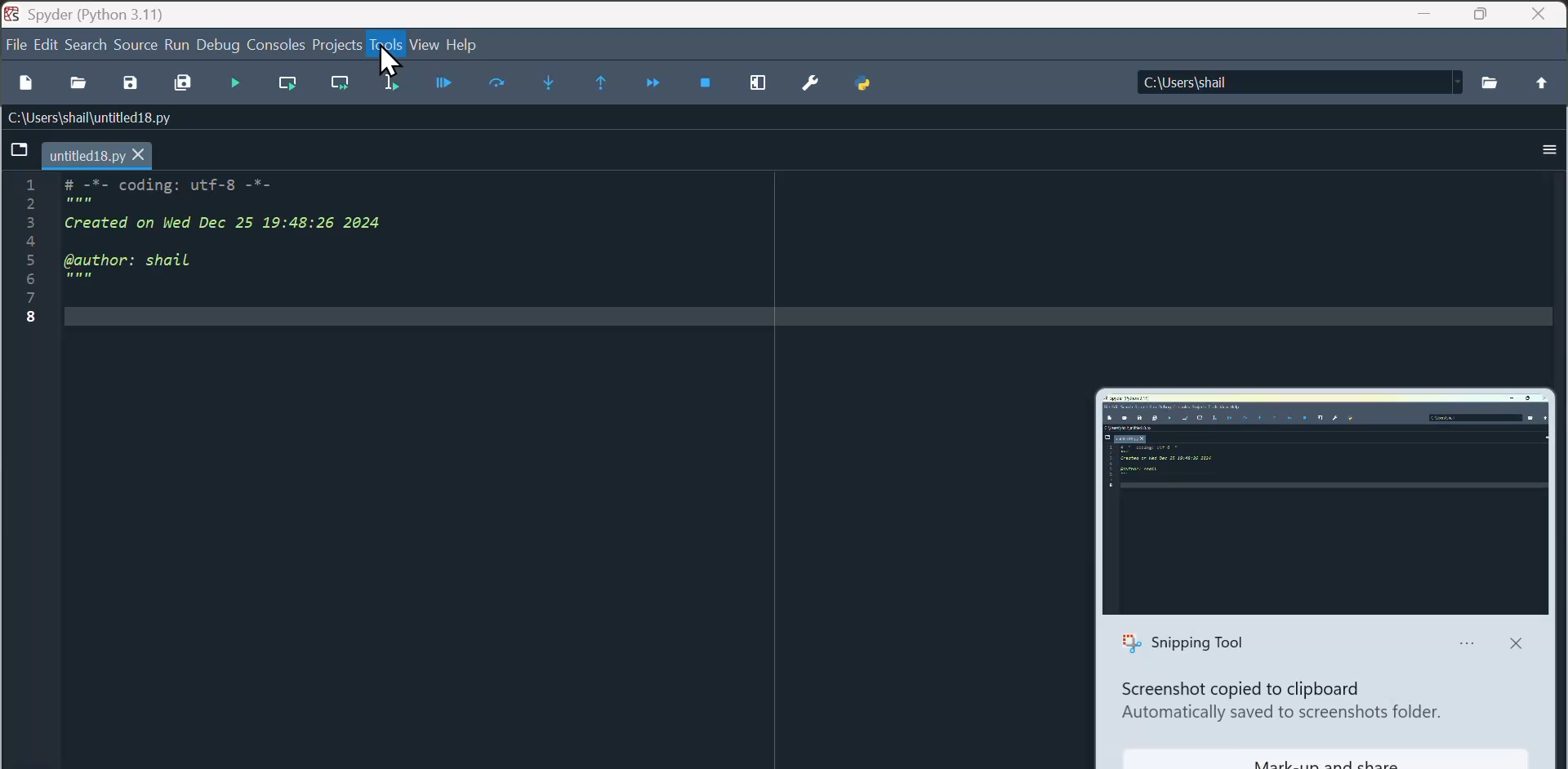 The width and height of the screenshot is (1568, 769). What do you see at coordinates (444, 88) in the screenshot?
I see `Debug` at bounding box center [444, 88].